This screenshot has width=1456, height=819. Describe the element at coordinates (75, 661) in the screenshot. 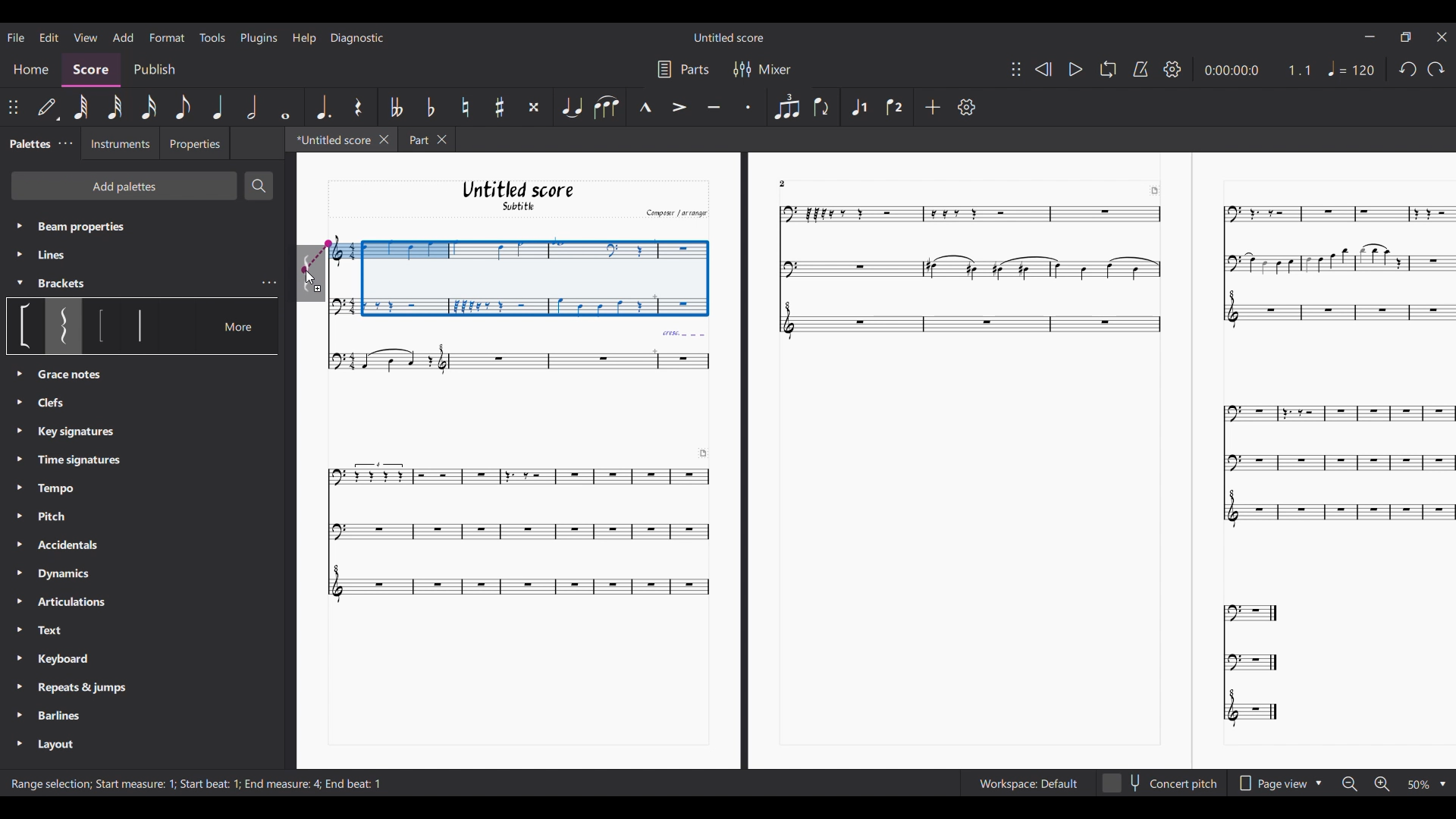

I see `Keyboard` at that location.